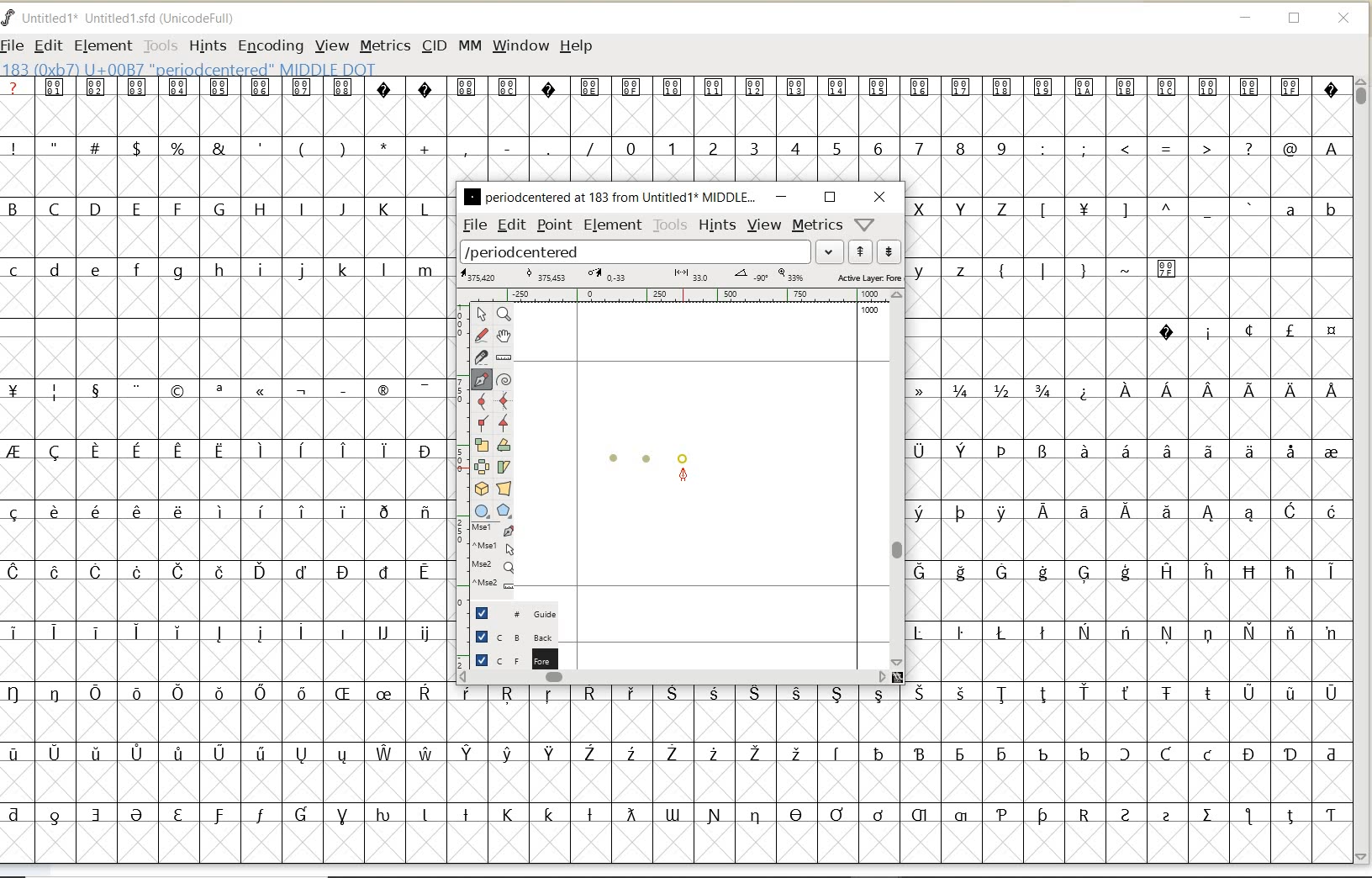 The image size is (1372, 878). I want to click on TOOLS, so click(161, 45).